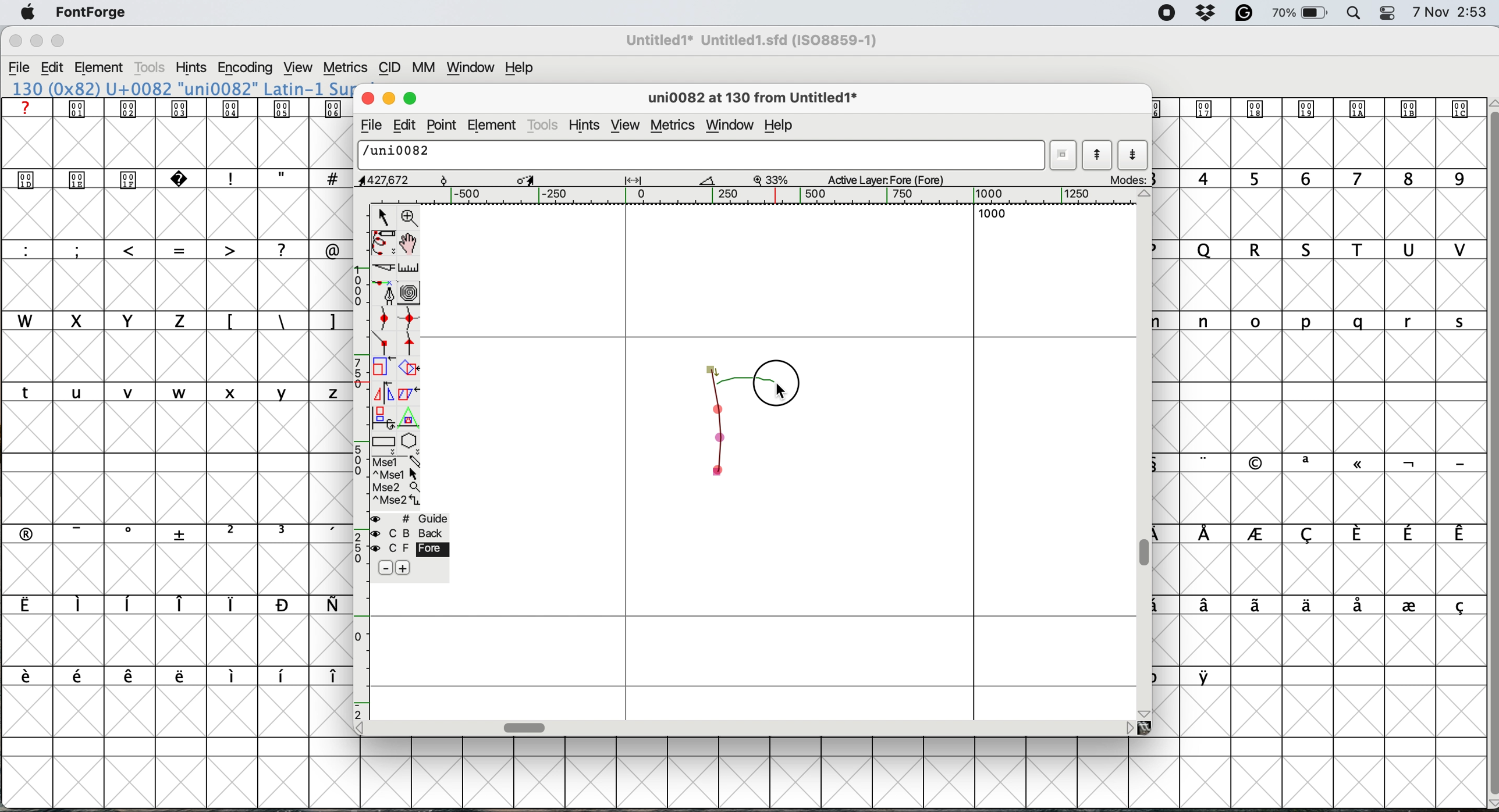  Describe the element at coordinates (389, 99) in the screenshot. I see `minimise` at that location.